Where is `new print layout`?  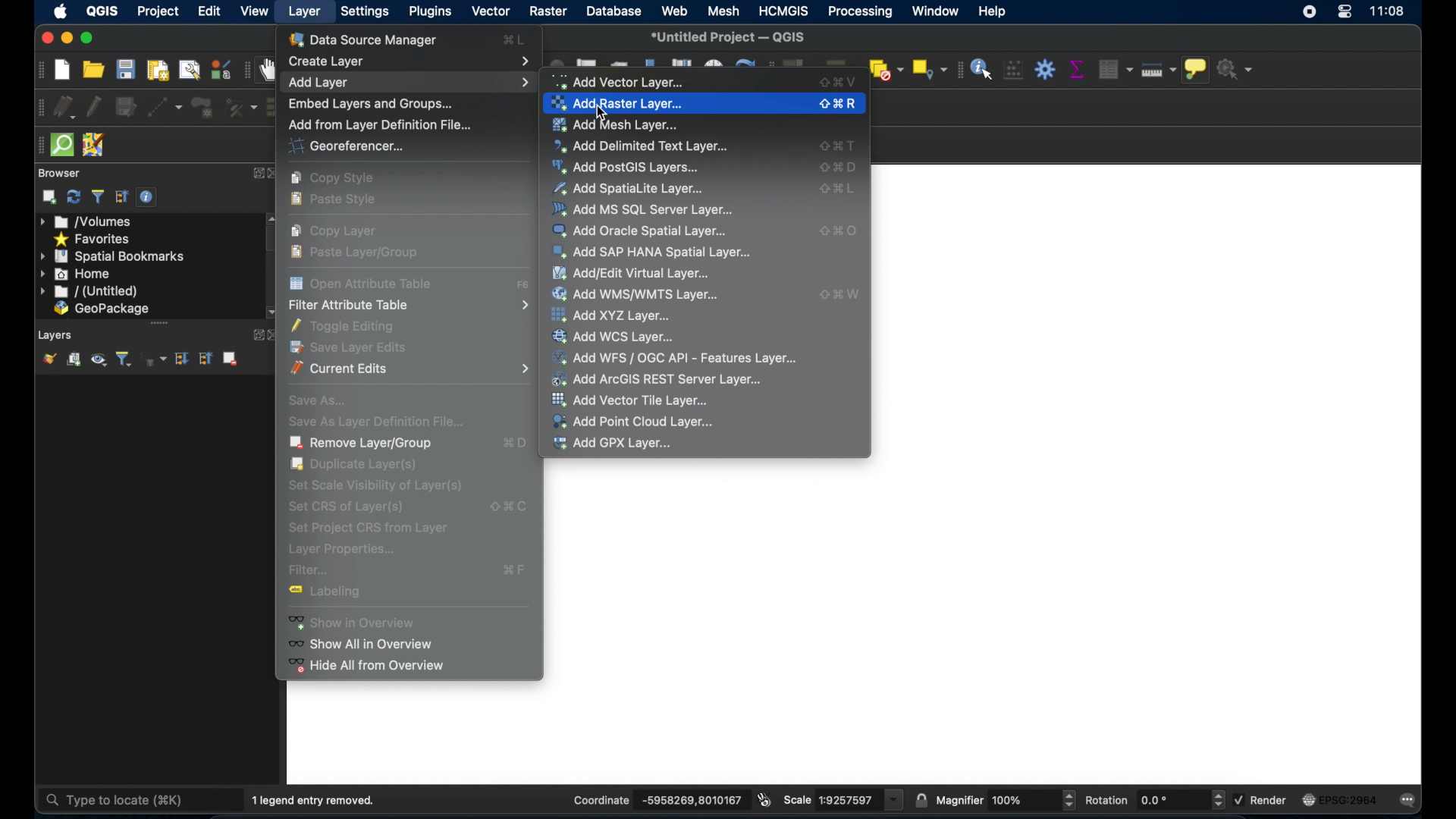
new print layout is located at coordinates (158, 70).